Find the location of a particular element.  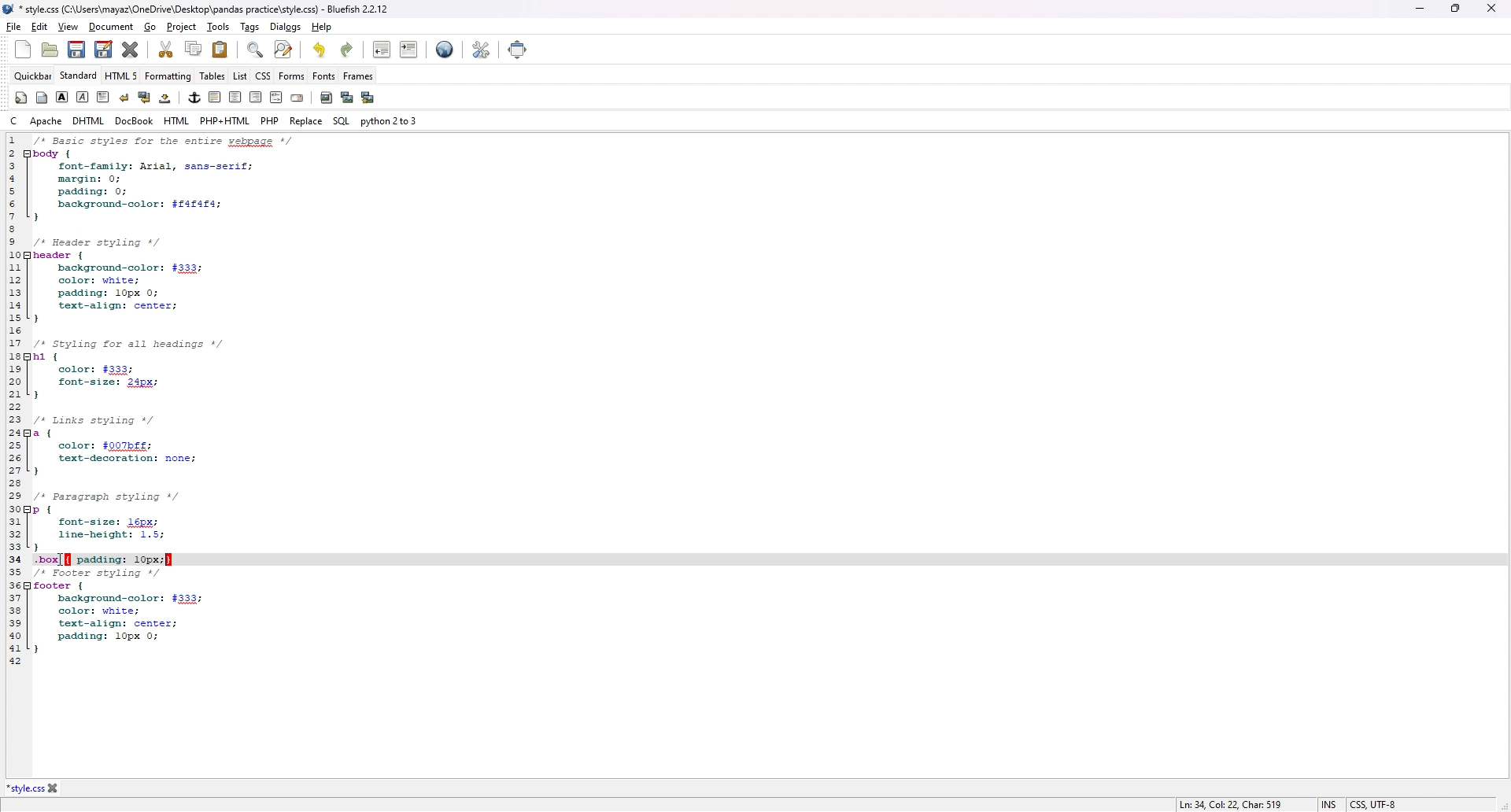

*style.css is located at coordinates (24, 788).